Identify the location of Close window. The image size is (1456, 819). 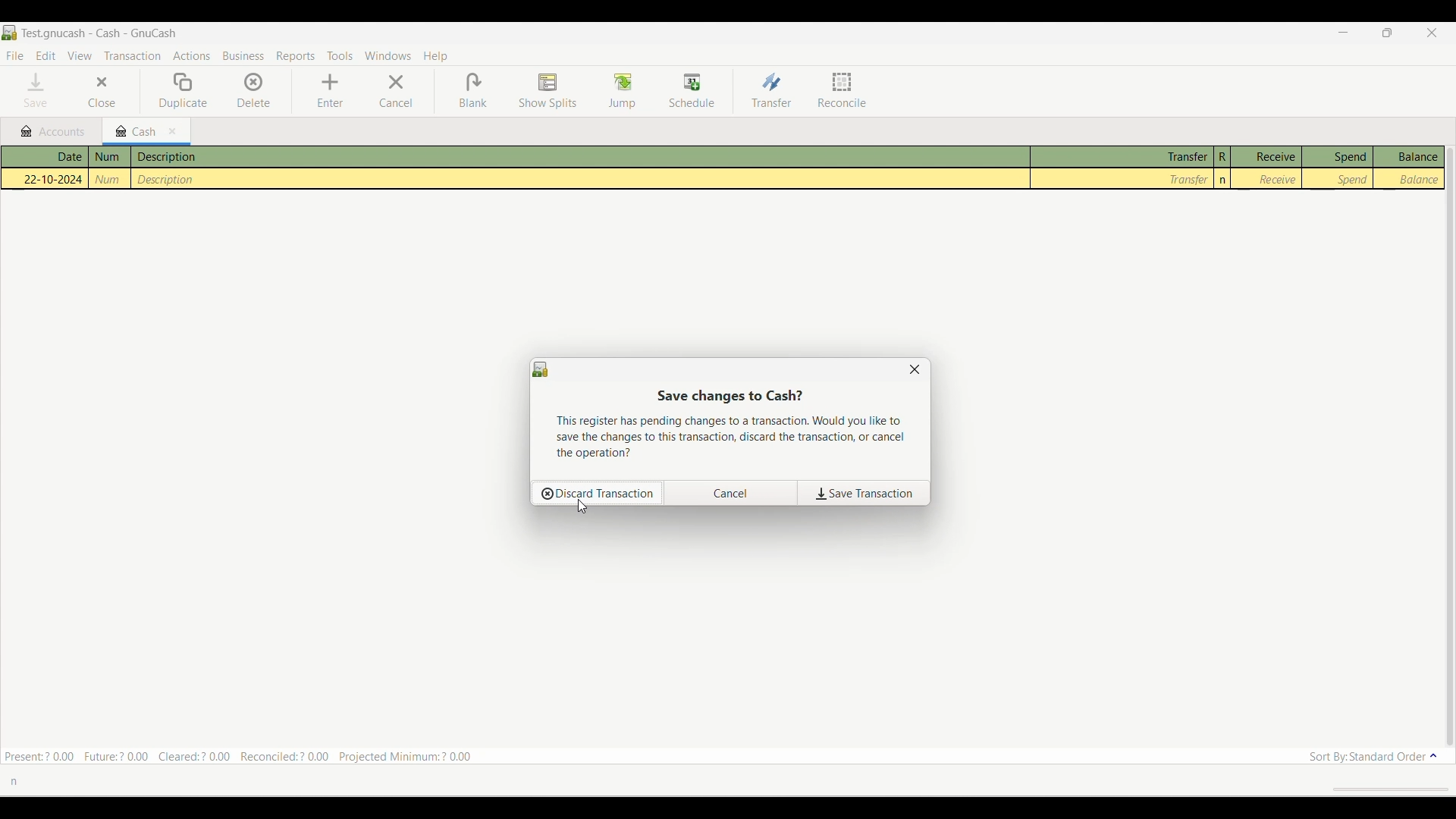
(915, 369).